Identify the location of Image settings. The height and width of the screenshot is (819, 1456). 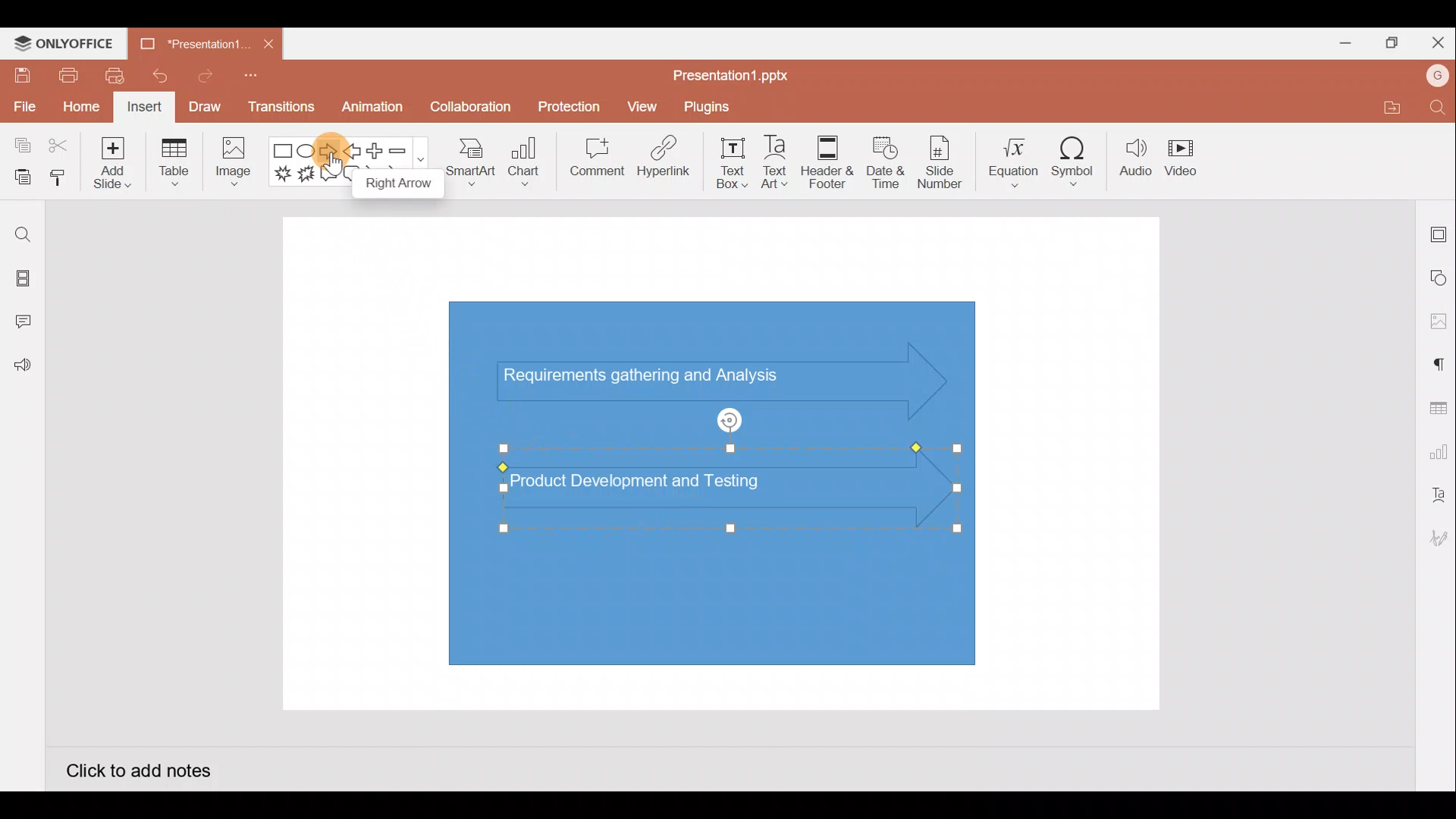
(1439, 322).